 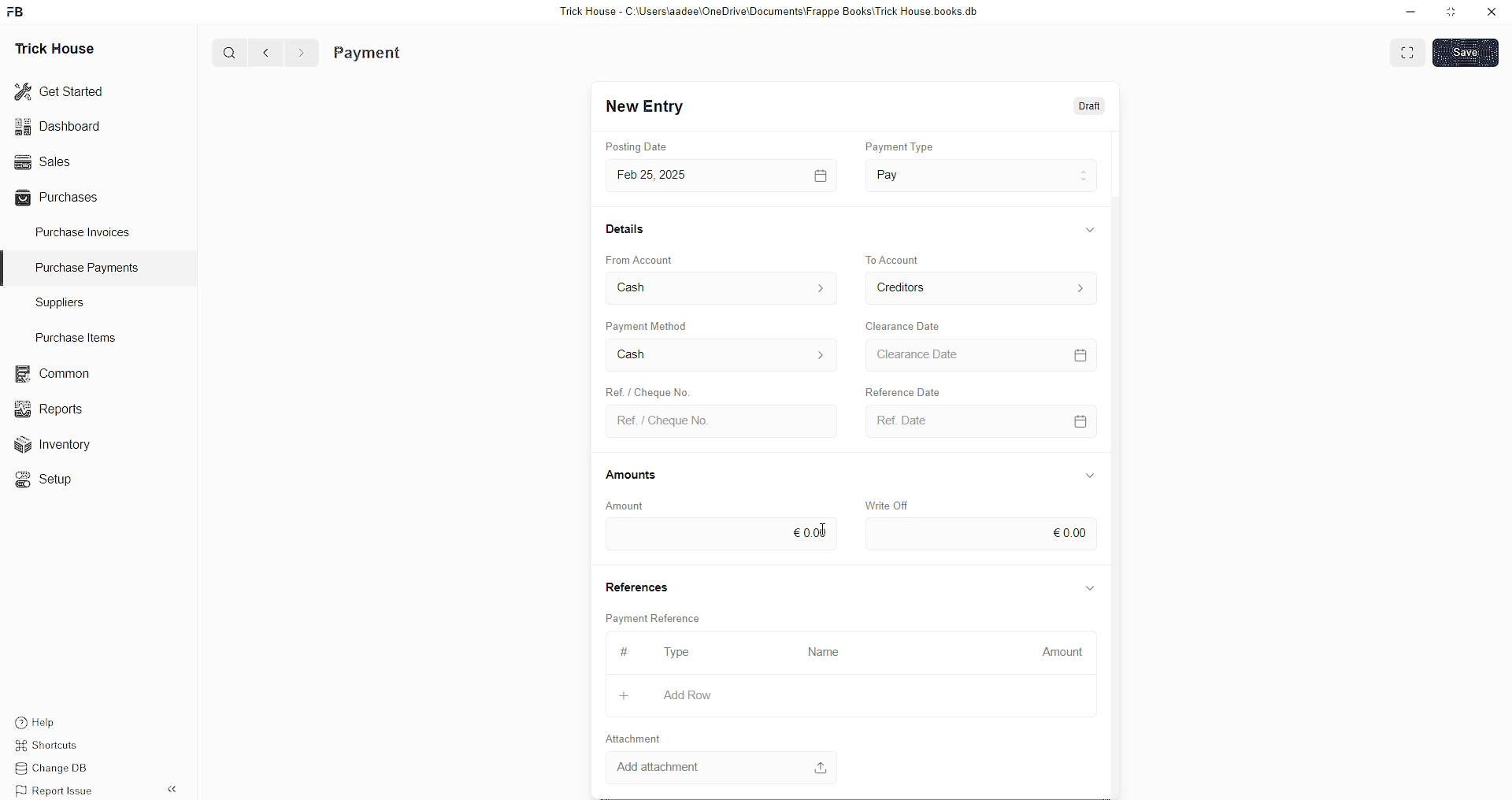 I want to click on Ref. / Cheque No., so click(x=641, y=389).